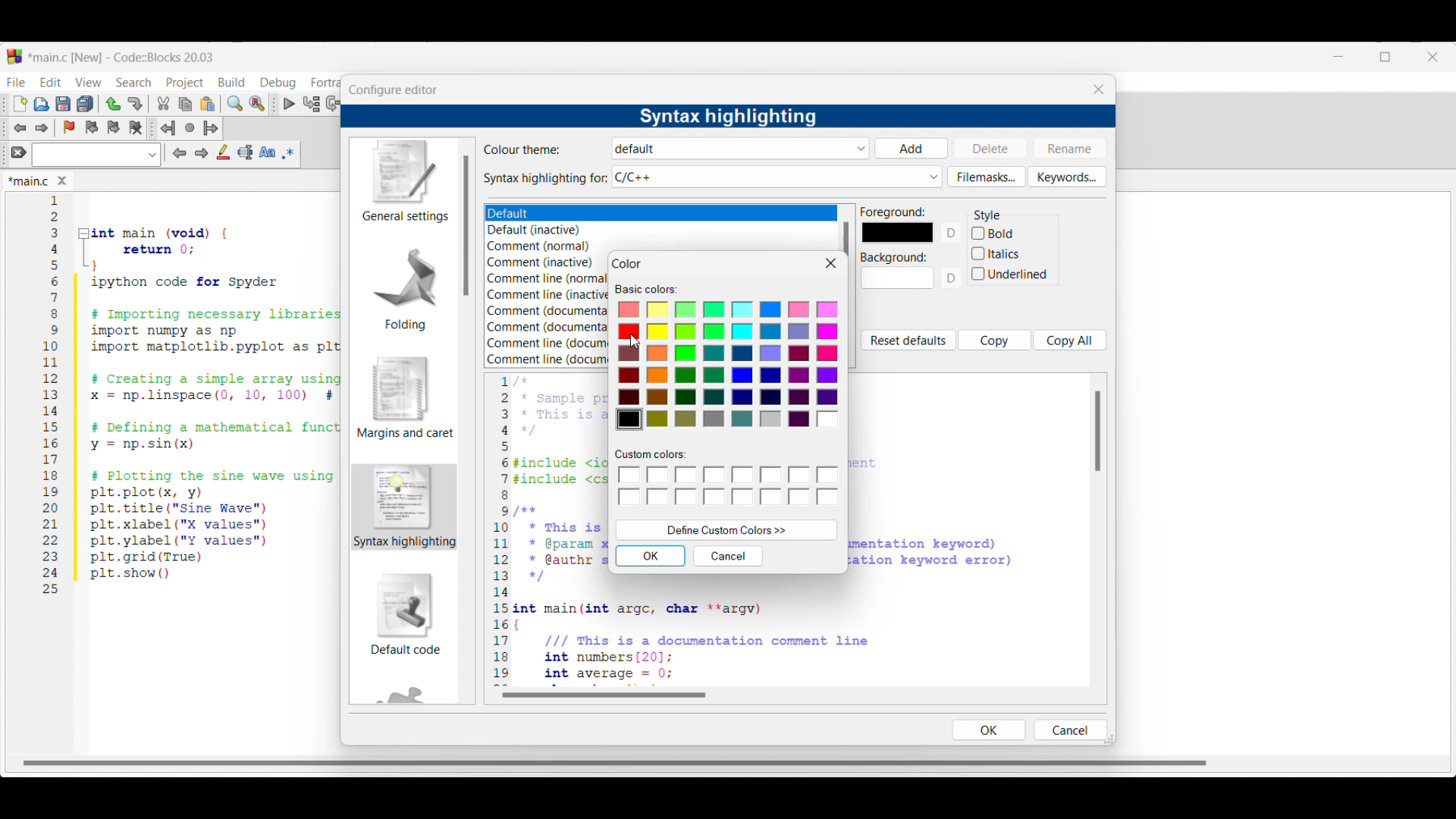 The width and height of the screenshot is (1456, 819). I want to click on Indicates foreground color options, so click(893, 212).